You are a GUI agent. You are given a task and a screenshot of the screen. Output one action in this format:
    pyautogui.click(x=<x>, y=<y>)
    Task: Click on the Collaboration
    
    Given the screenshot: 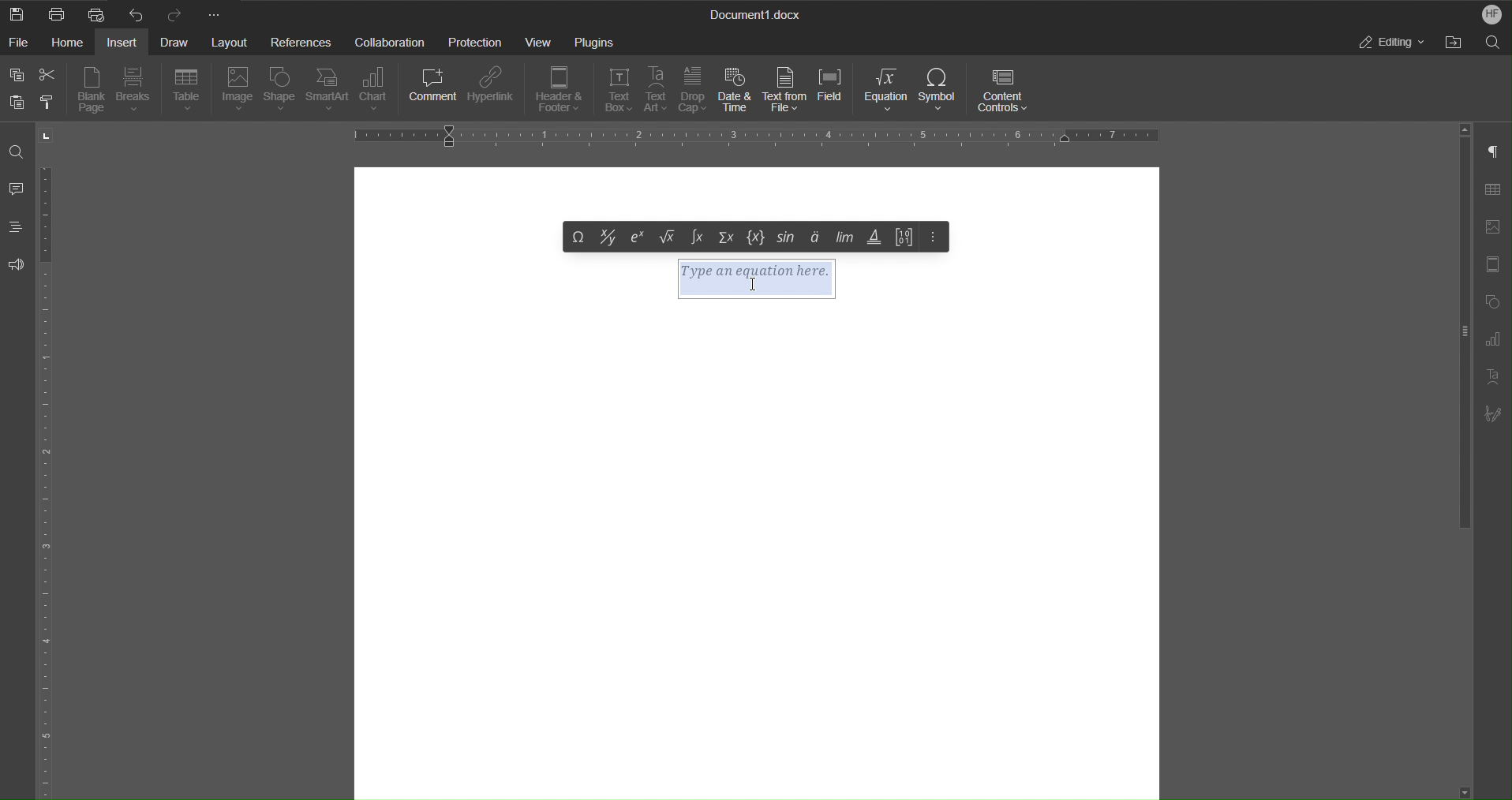 What is the action you would take?
    pyautogui.click(x=392, y=42)
    